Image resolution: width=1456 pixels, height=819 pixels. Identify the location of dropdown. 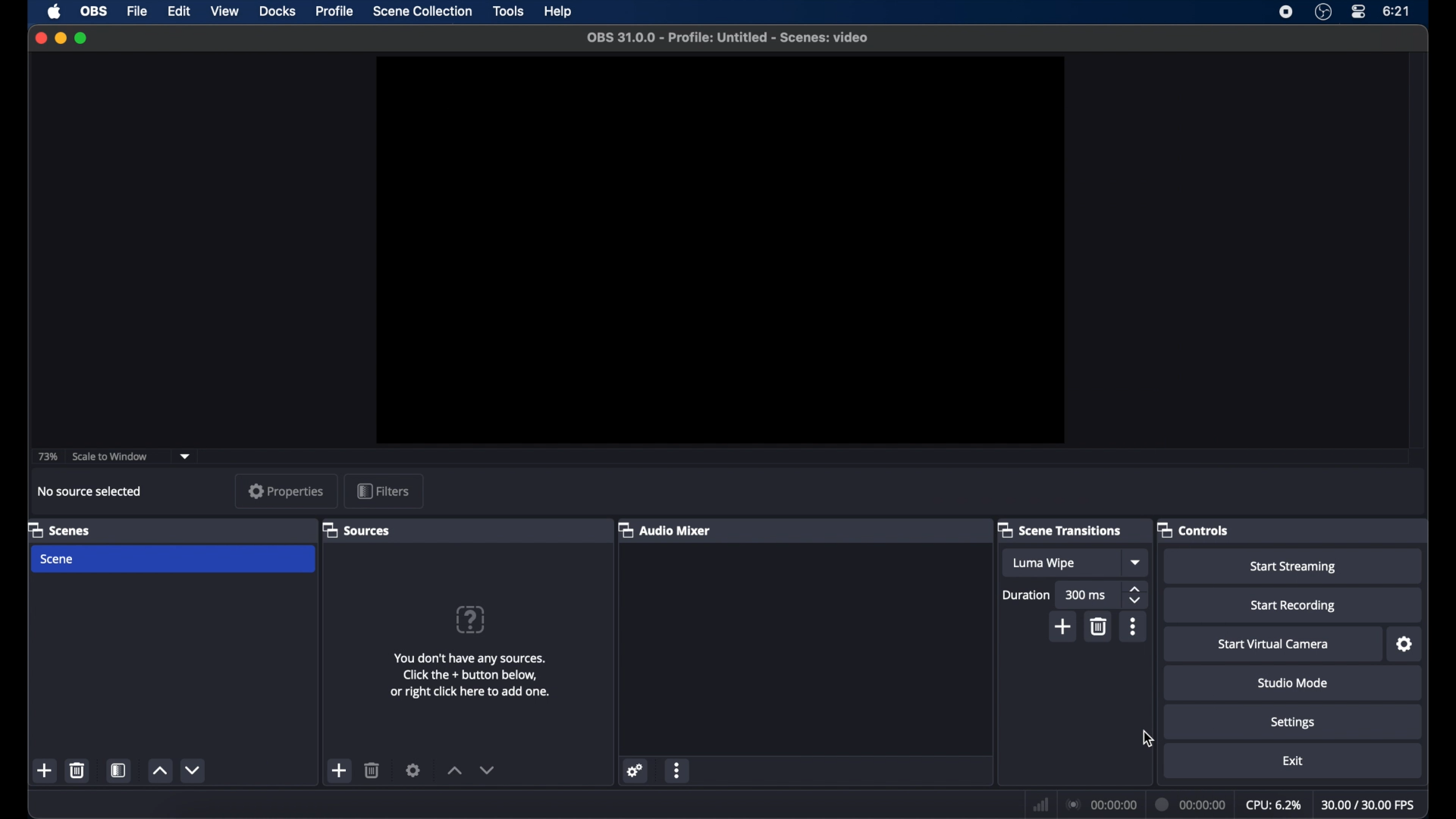
(1137, 563).